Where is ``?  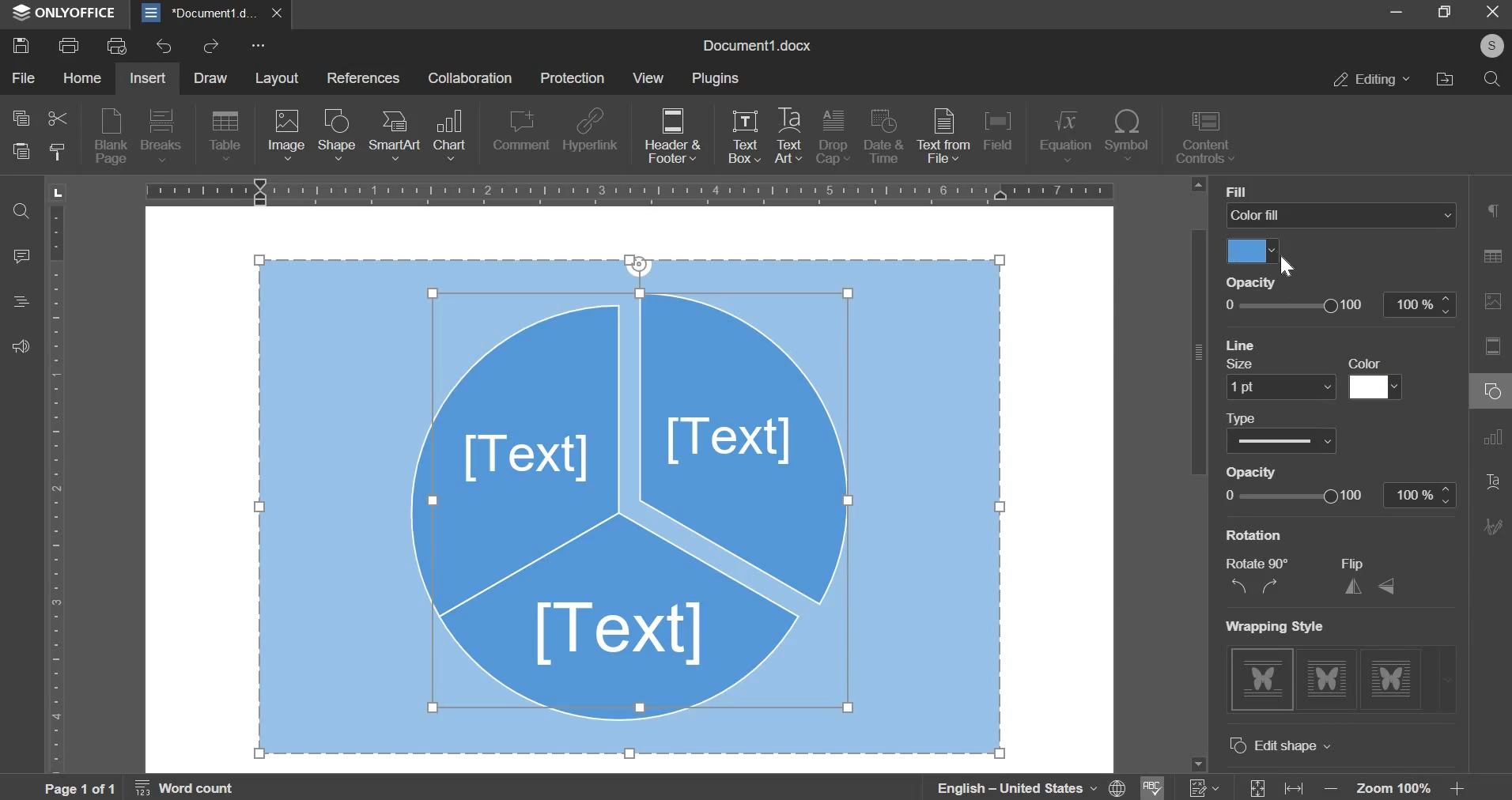
 is located at coordinates (1248, 416).